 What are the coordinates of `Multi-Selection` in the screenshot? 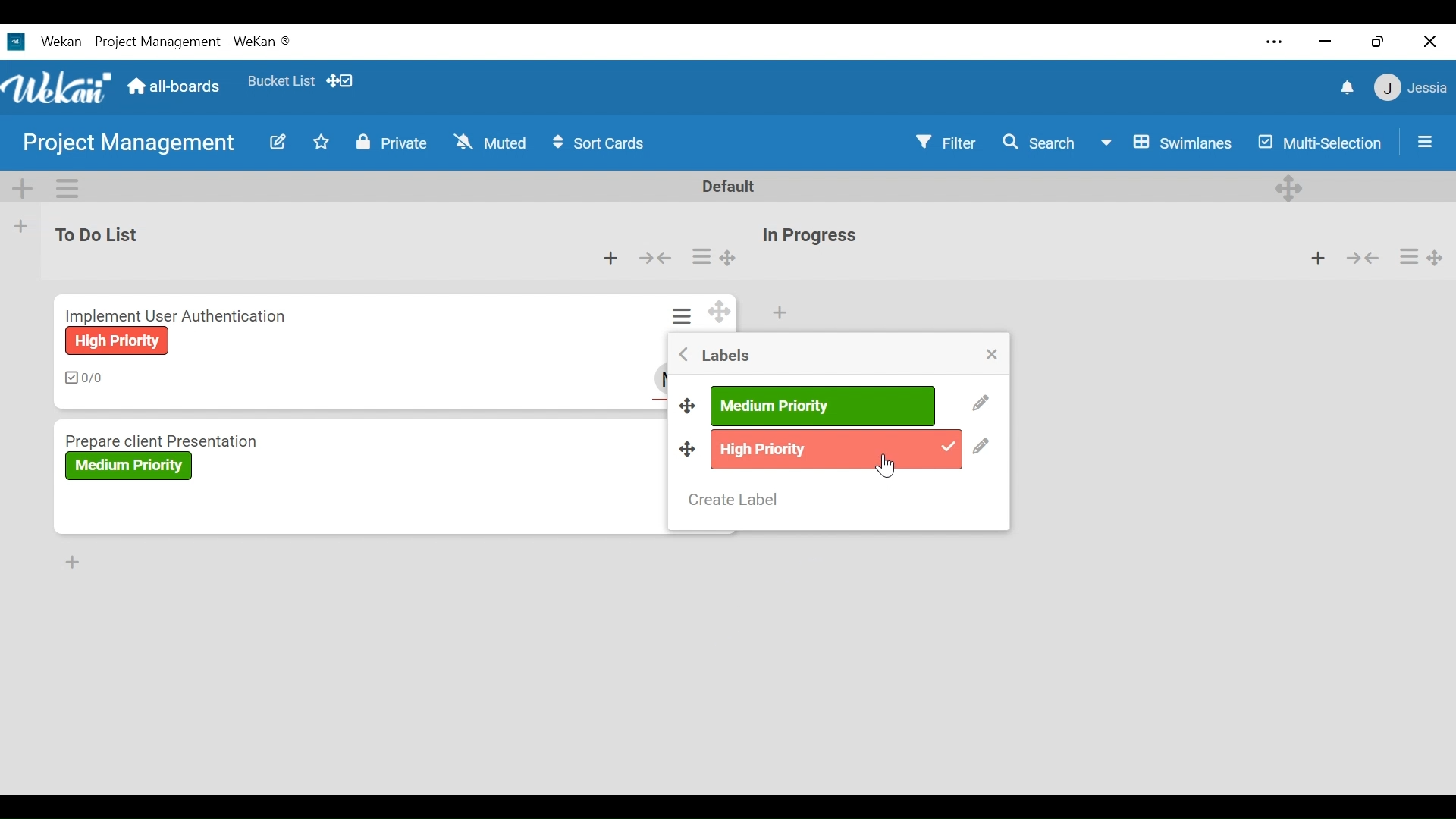 It's located at (1317, 142).